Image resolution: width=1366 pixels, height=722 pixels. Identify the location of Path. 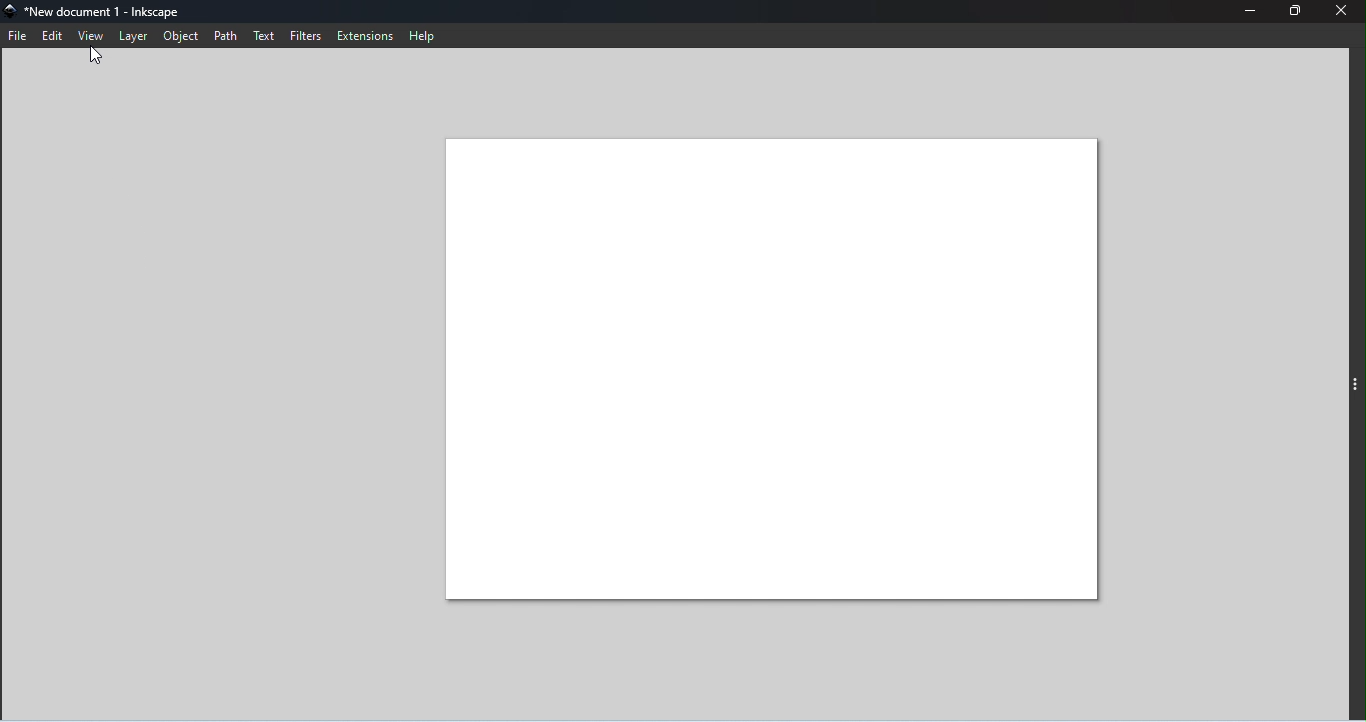
(231, 36).